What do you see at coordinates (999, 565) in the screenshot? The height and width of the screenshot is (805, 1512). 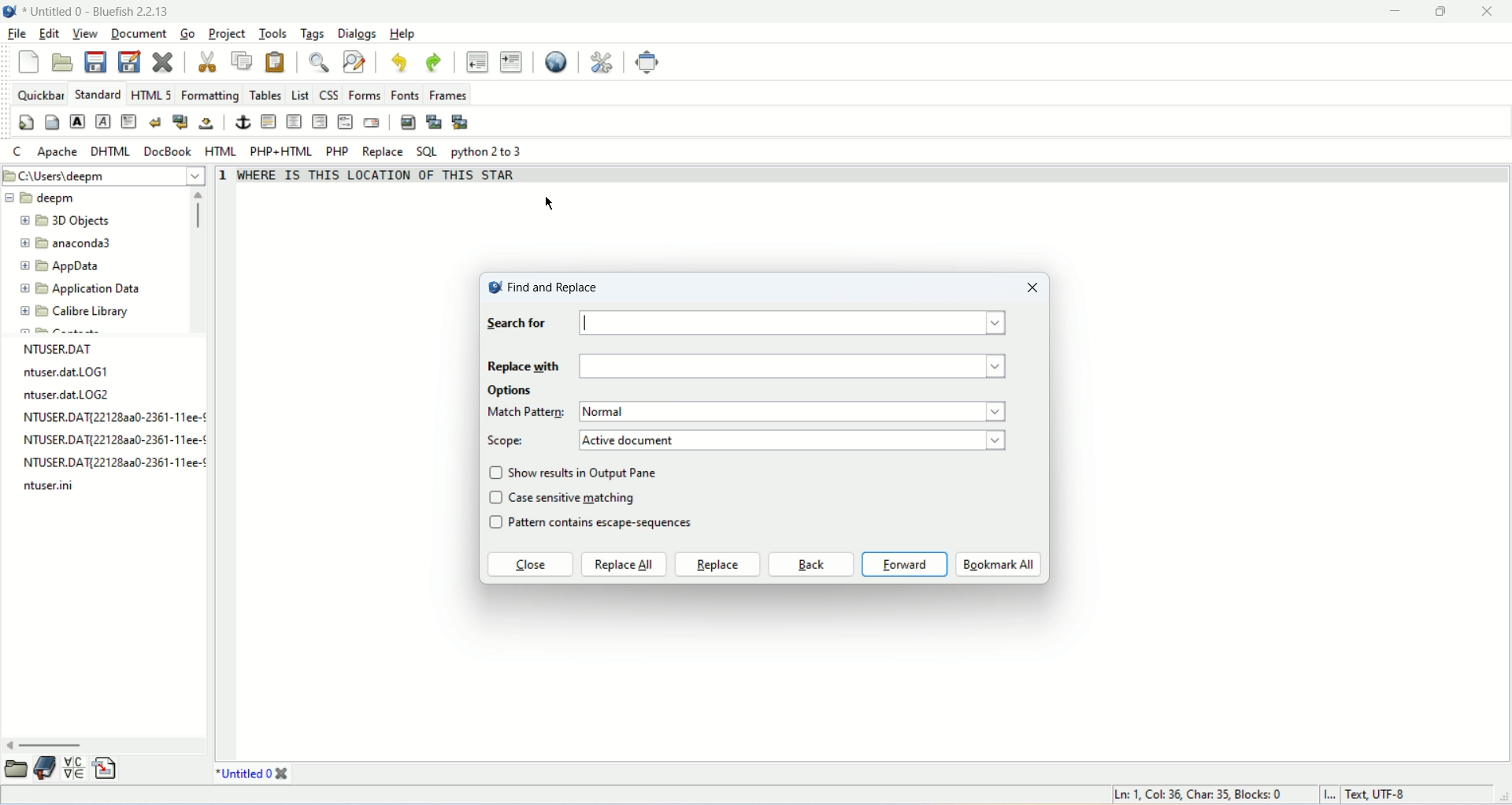 I see `bookmark all` at bounding box center [999, 565].